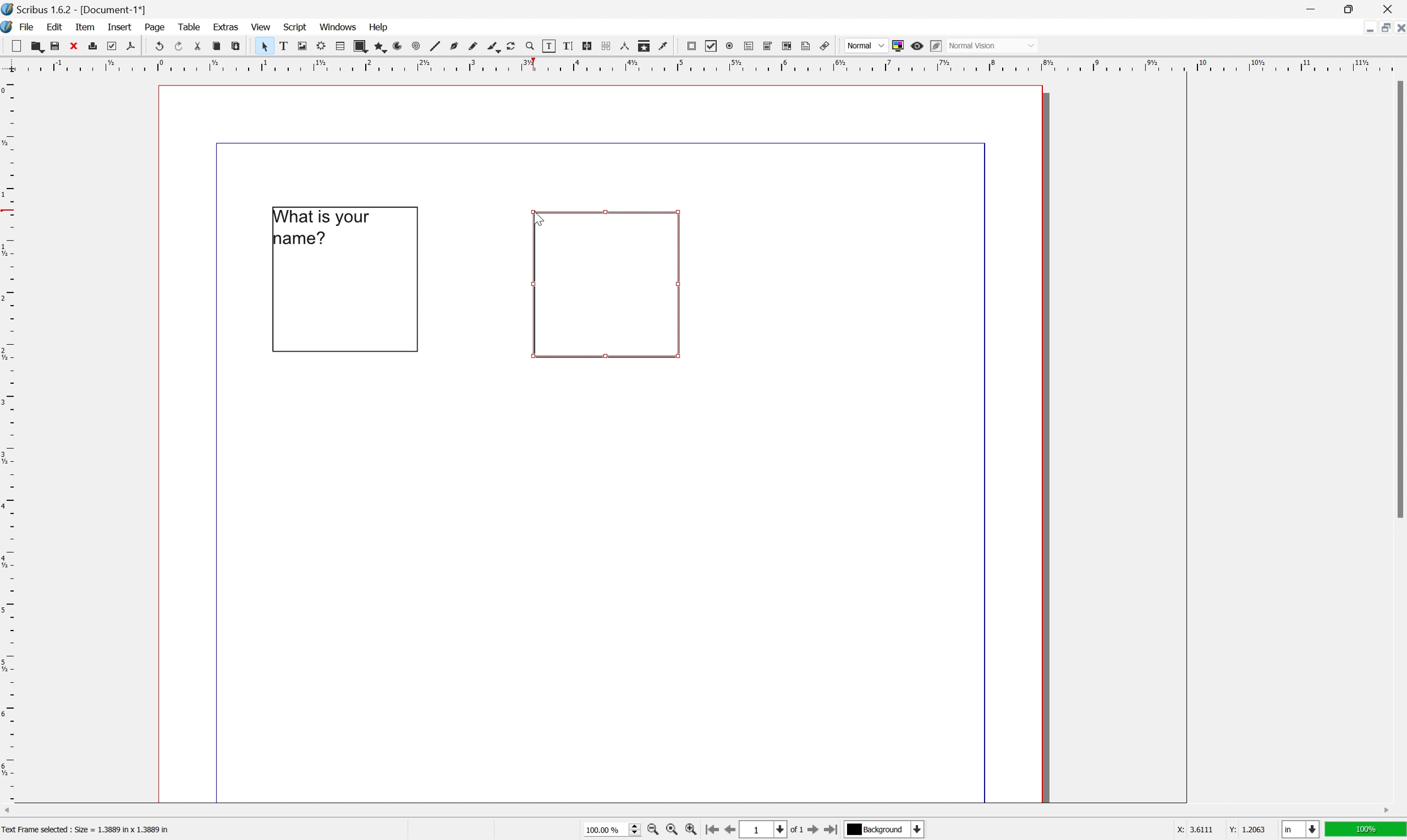 The image size is (1407, 840). I want to click on image frame, so click(301, 46).